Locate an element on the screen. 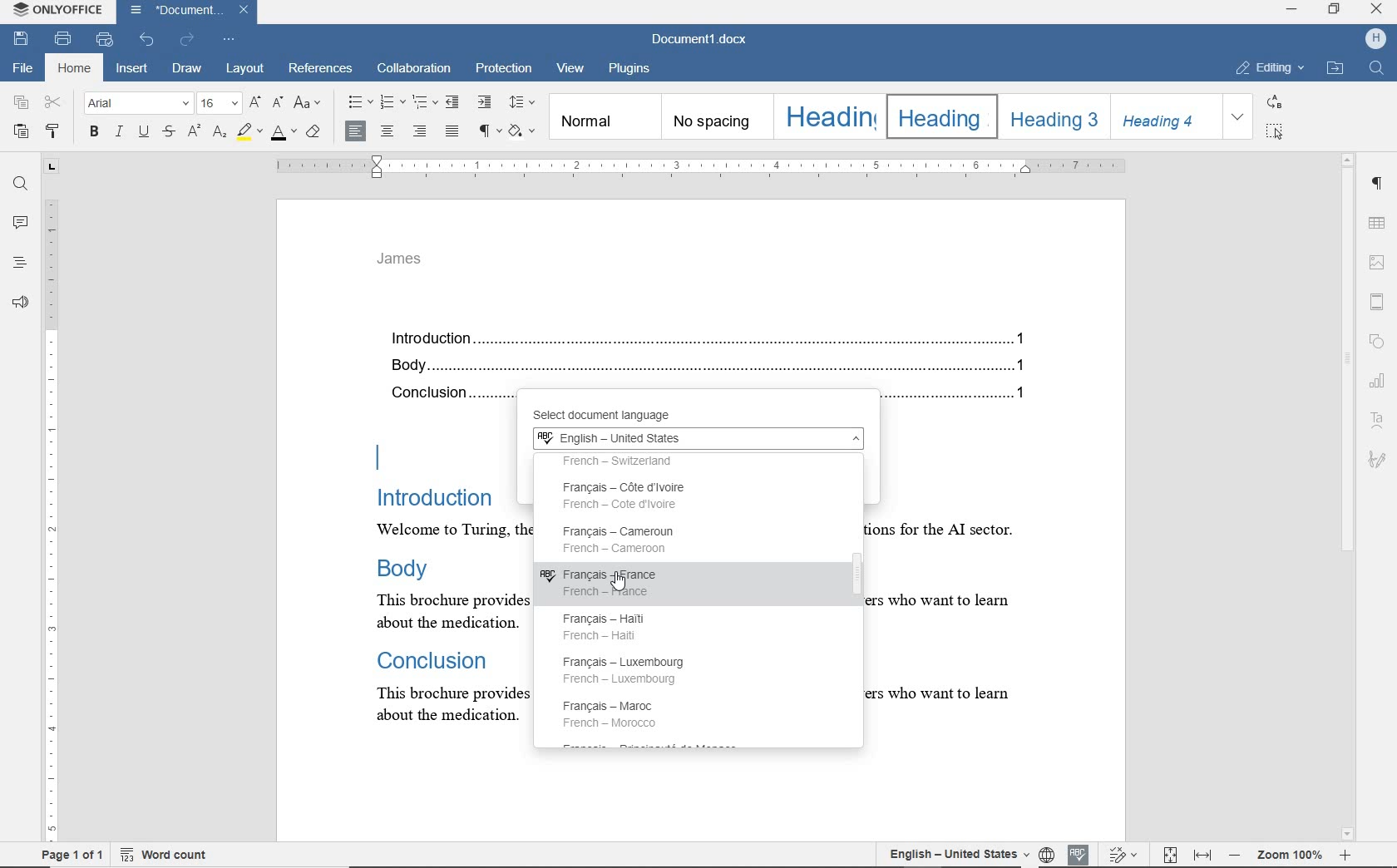  zoom out or zoom in is located at coordinates (1293, 853).